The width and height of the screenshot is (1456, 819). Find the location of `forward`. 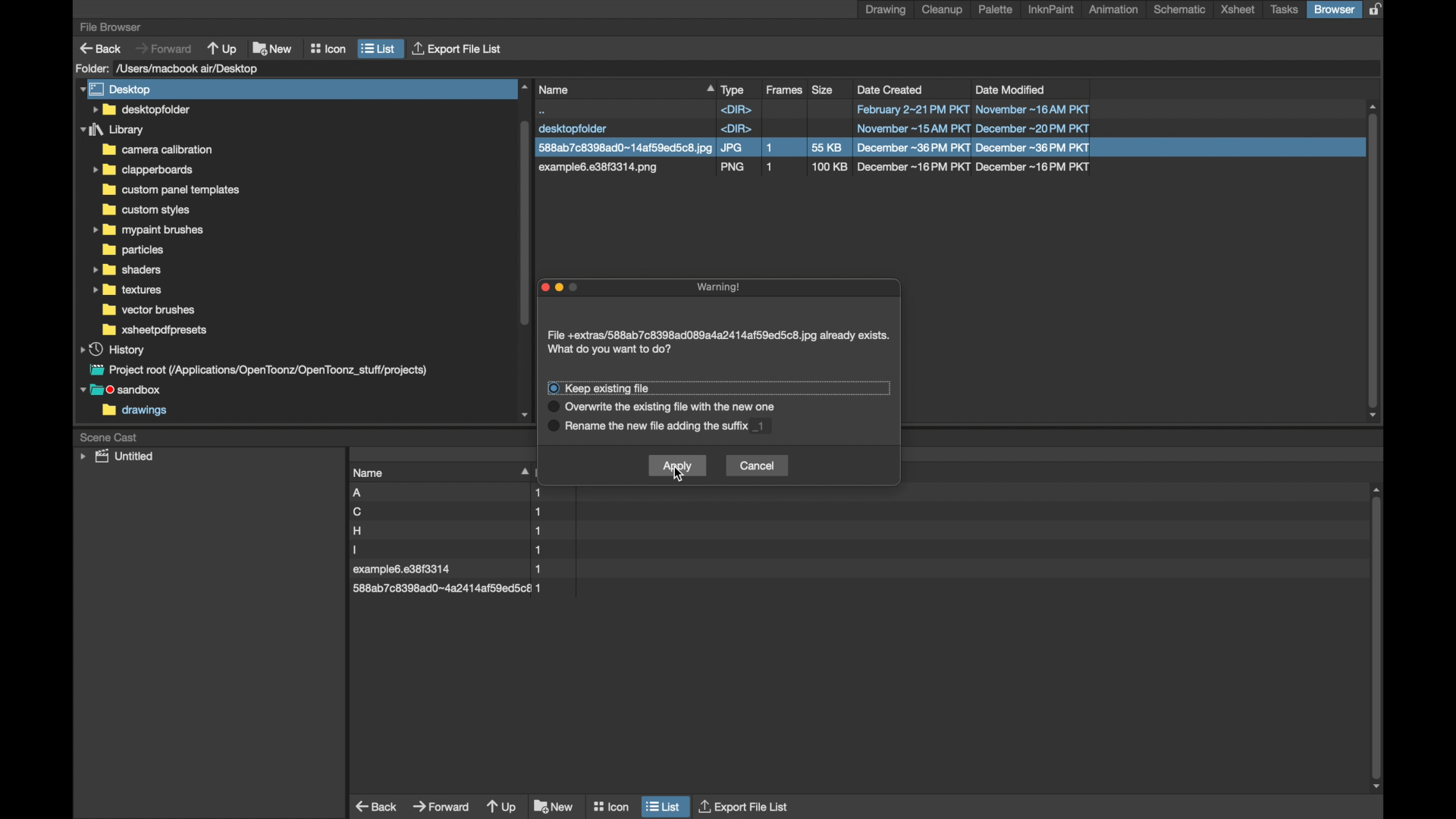

forward is located at coordinates (163, 48).